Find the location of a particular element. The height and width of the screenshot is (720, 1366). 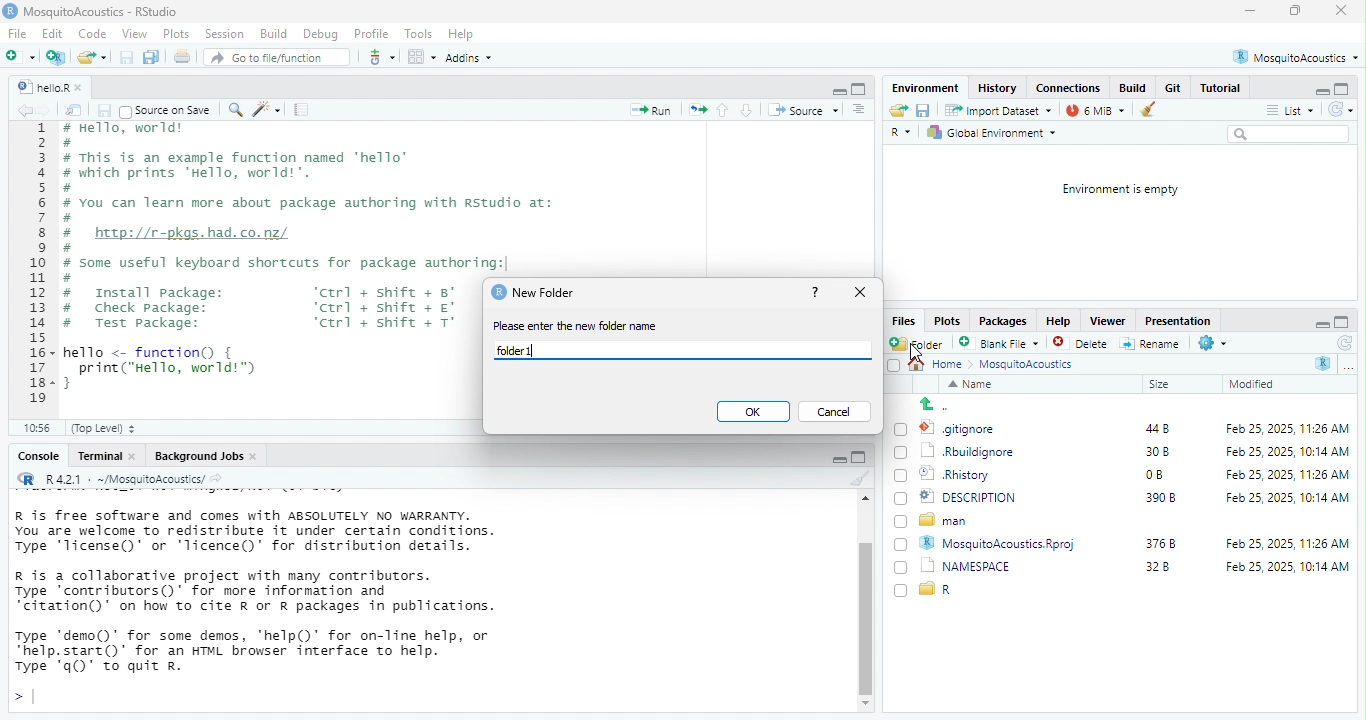

 DESCRIPTION is located at coordinates (983, 498).